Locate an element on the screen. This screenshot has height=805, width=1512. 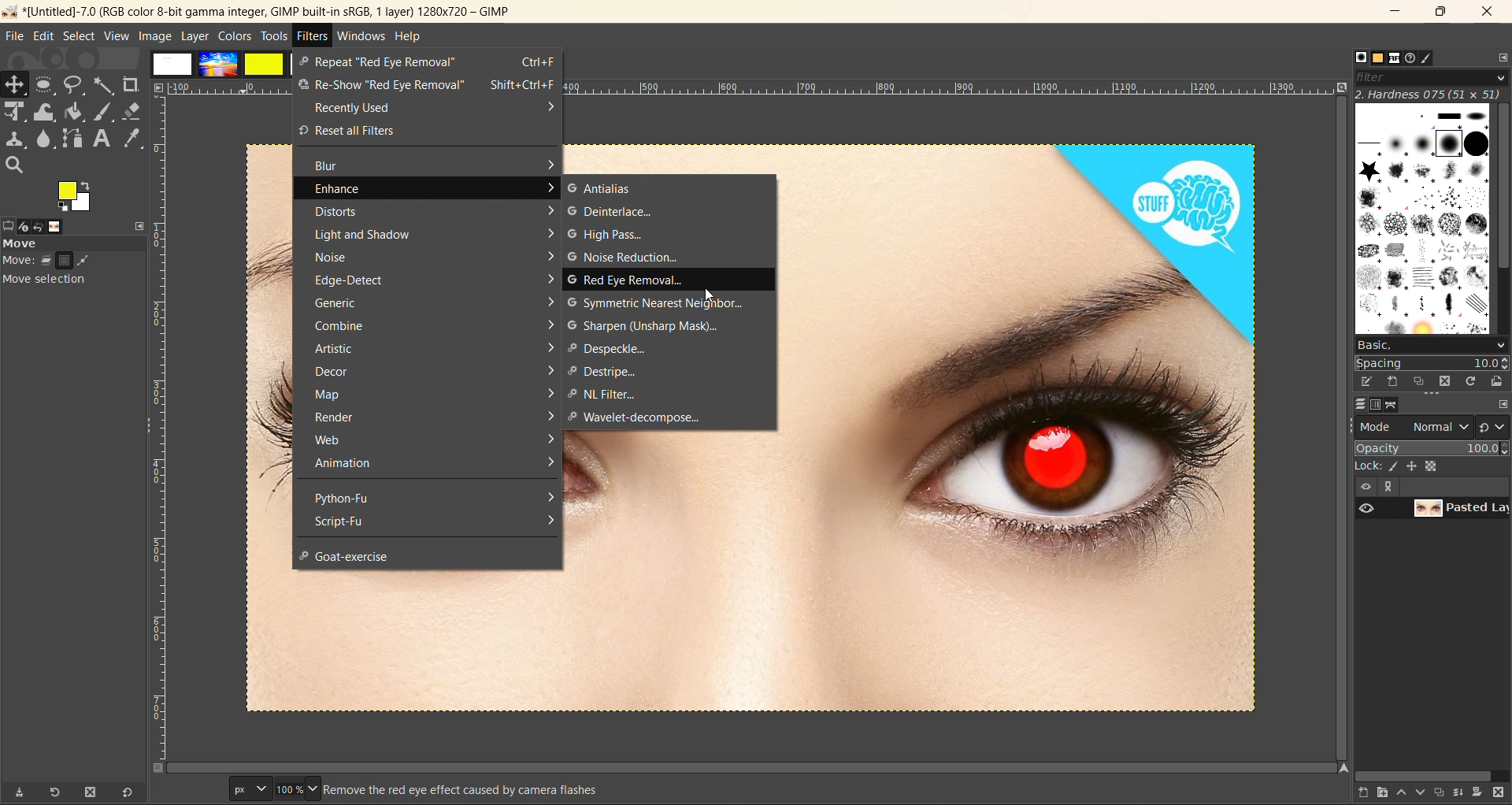
layer is located at coordinates (1462, 508).